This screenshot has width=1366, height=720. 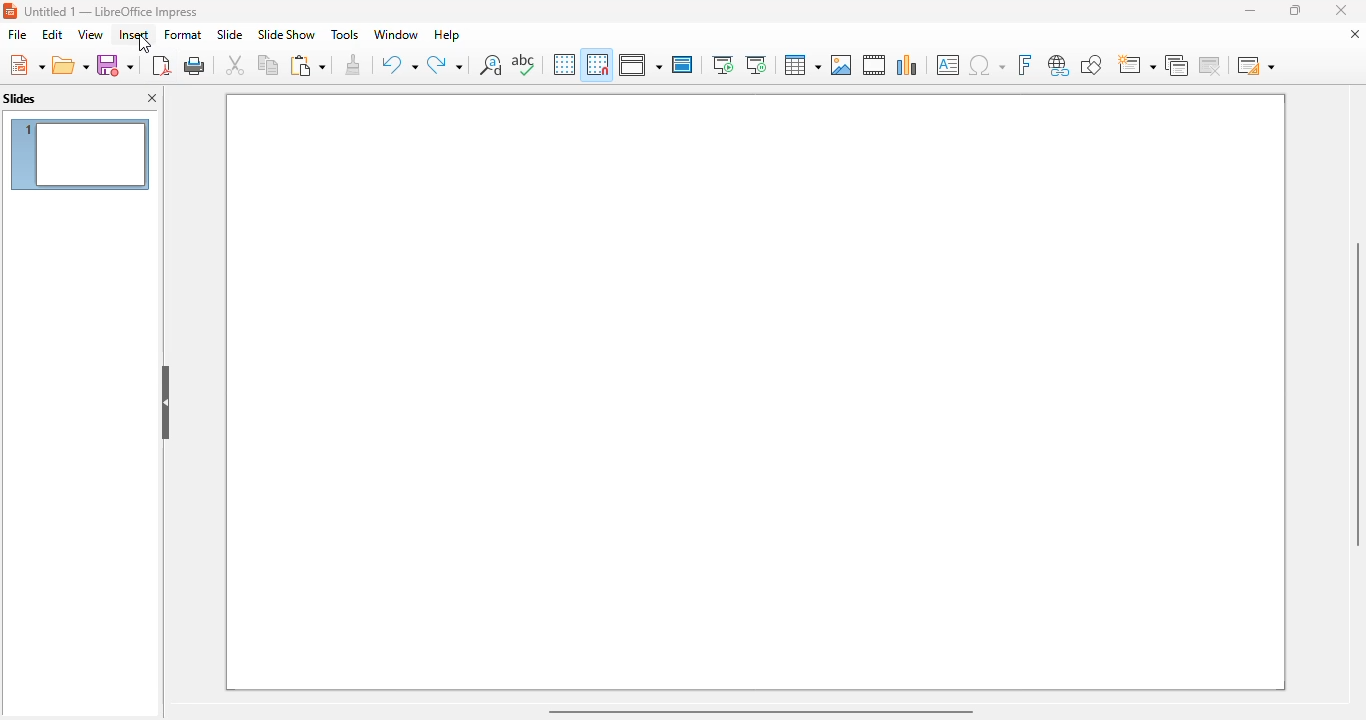 What do you see at coordinates (10, 11) in the screenshot?
I see `logo` at bounding box center [10, 11].